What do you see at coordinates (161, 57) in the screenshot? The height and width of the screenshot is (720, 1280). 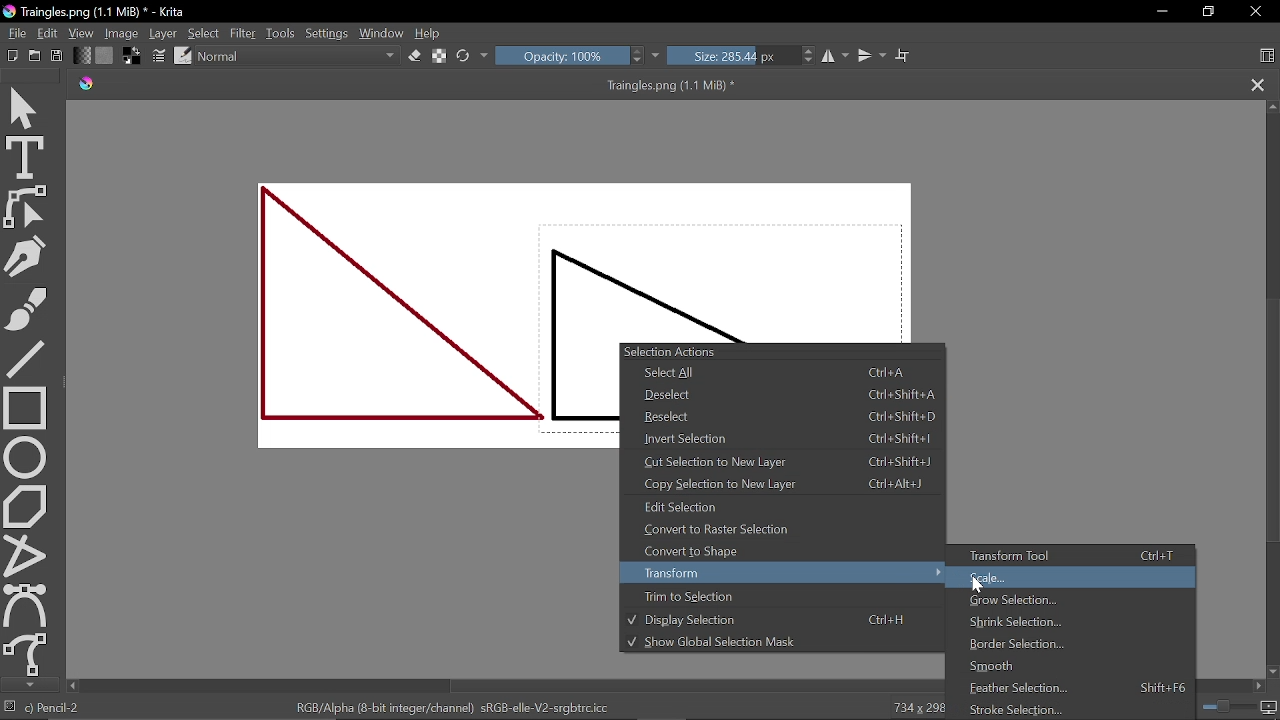 I see `Choose brush settings` at bounding box center [161, 57].